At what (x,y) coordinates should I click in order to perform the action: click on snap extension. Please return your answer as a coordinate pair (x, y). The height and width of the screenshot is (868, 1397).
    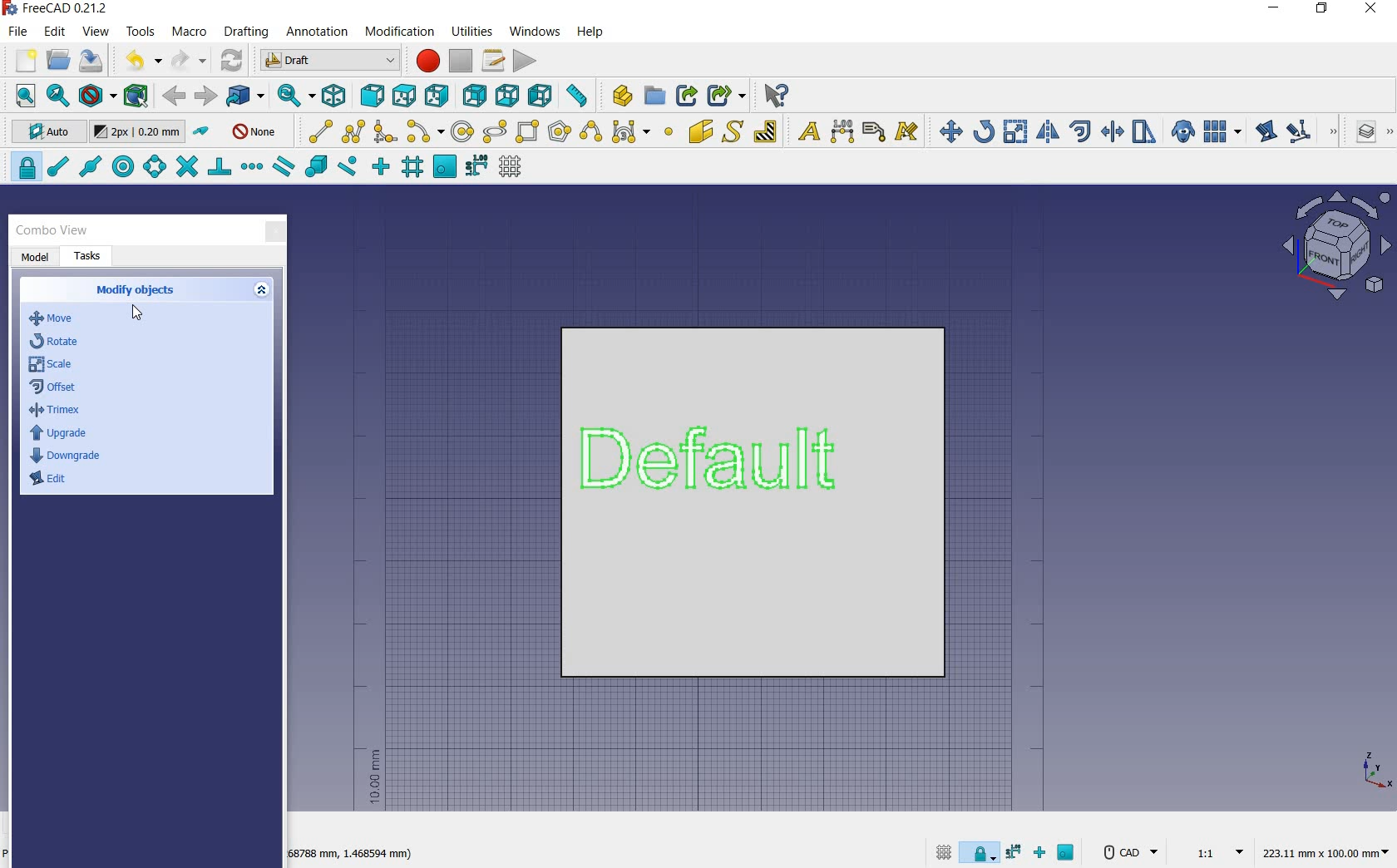
    Looking at the image, I should click on (251, 167).